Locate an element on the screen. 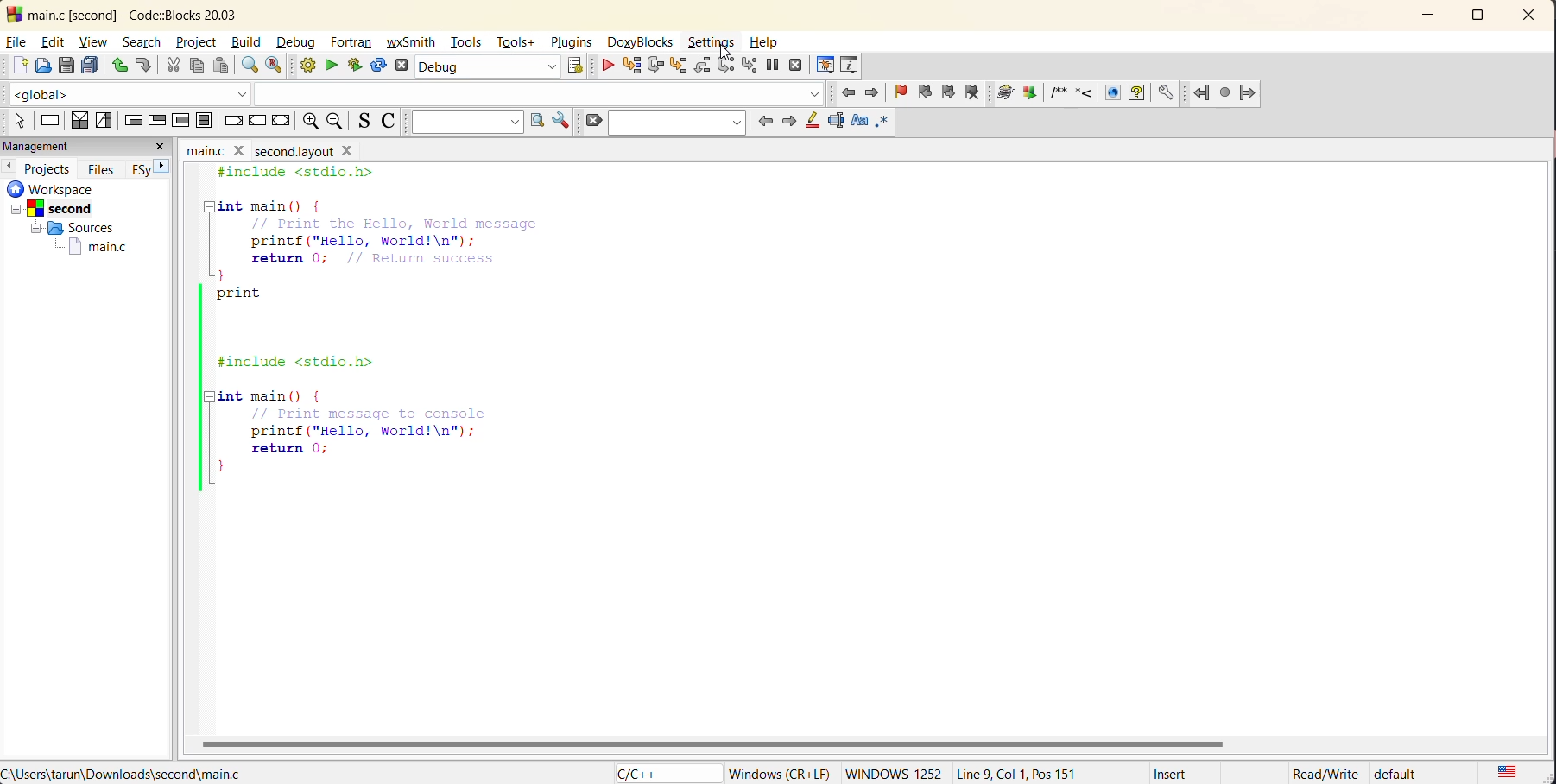 This screenshot has height=784, width=1556. search is located at coordinates (682, 123).